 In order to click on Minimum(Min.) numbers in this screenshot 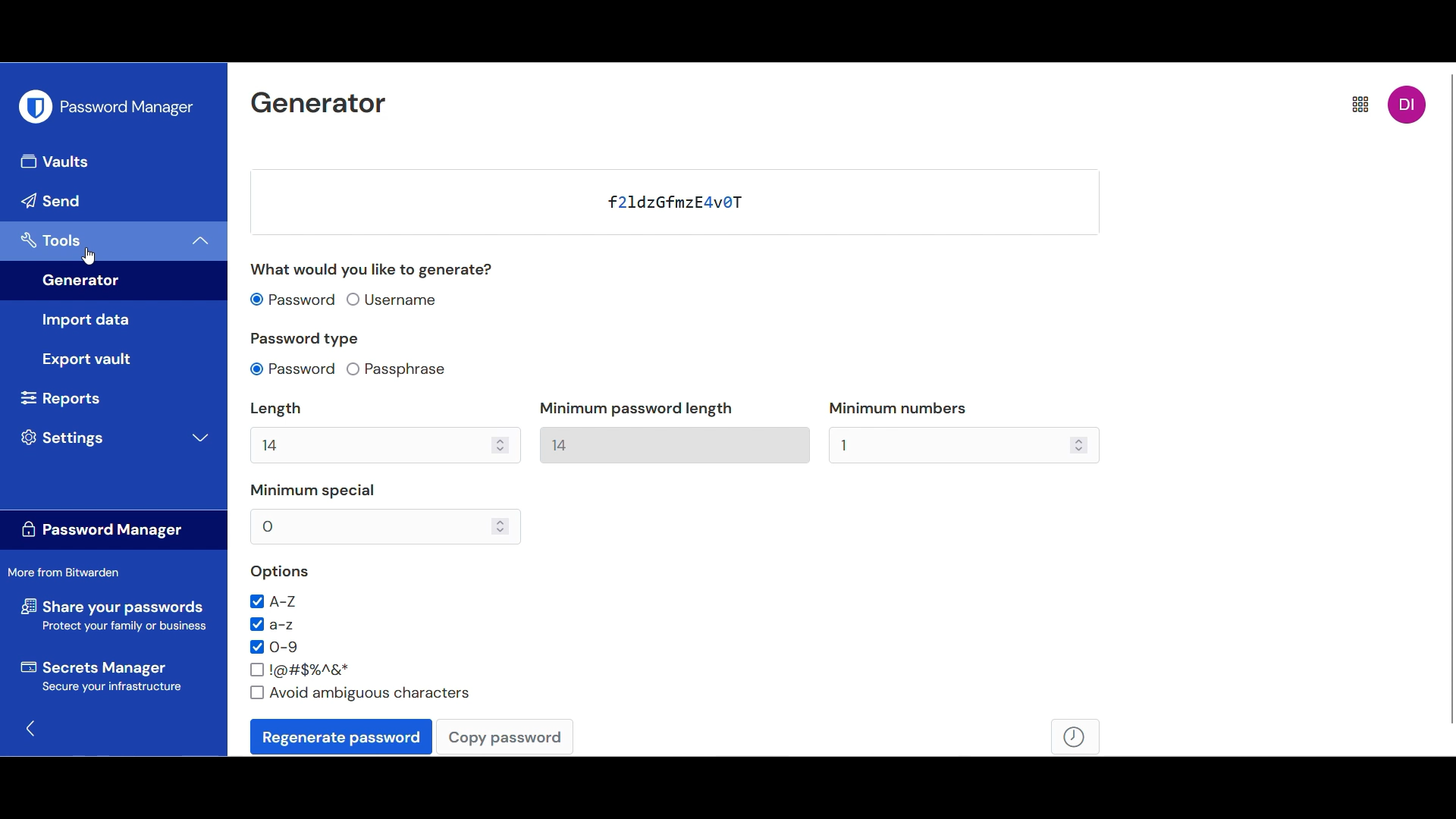, I will do `click(899, 408)`.